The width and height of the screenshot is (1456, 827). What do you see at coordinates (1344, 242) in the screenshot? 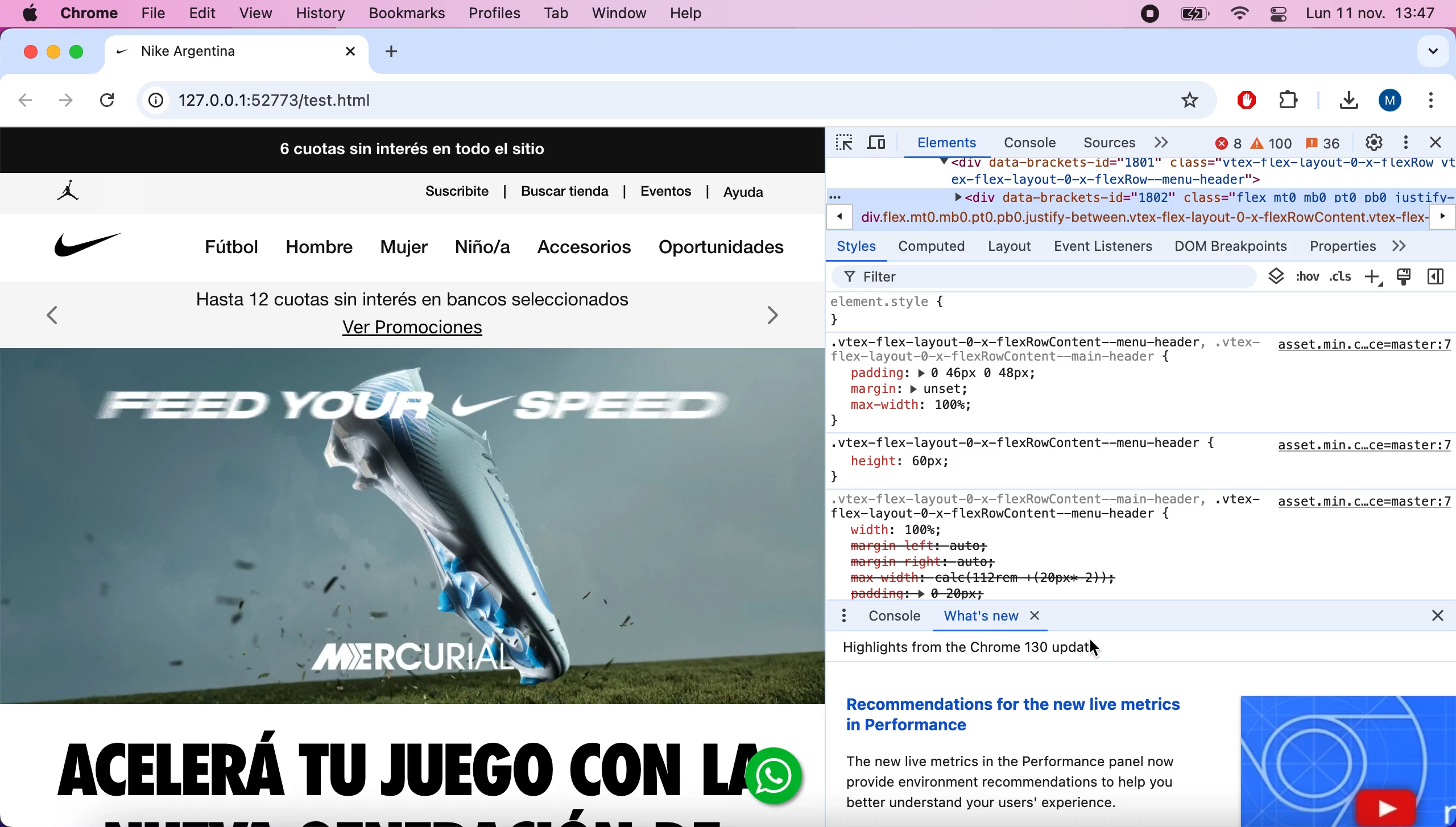
I see `properties` at bounding box center [1344, 242].